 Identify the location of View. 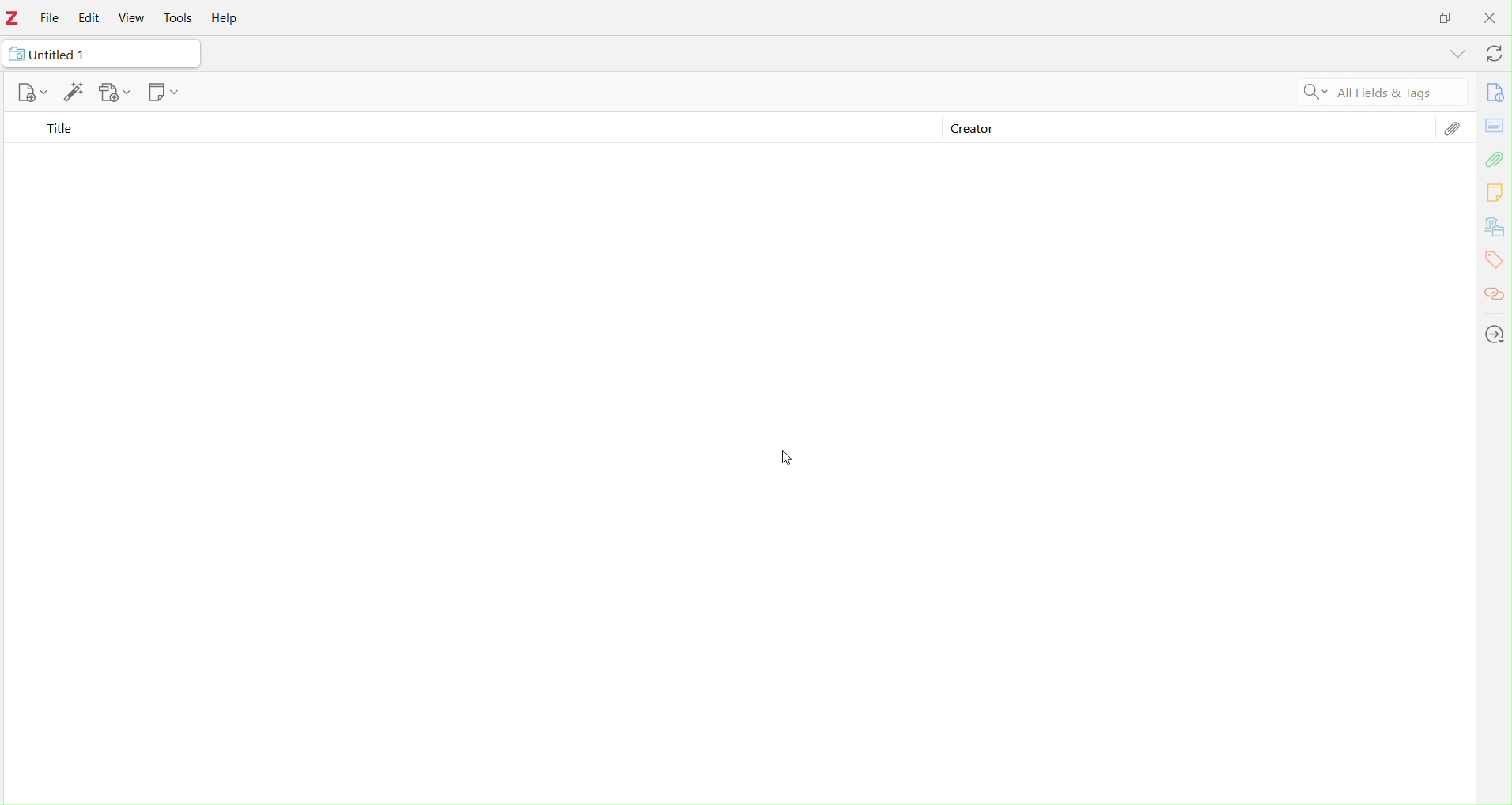
(129, 18).